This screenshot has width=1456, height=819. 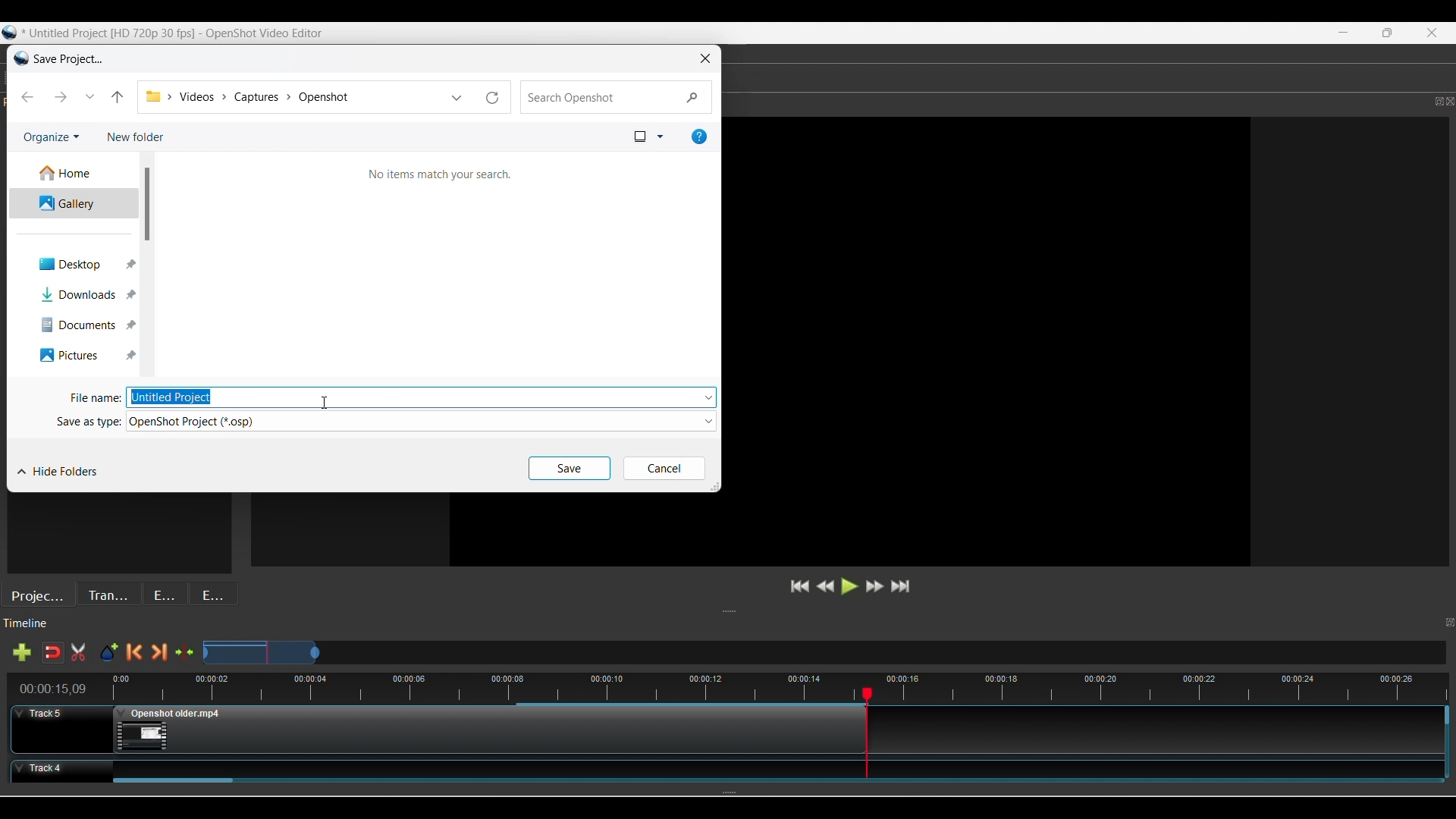 What do you see at coordinates (492, 731) in the screenshot?
I see `Clip at Track Panel` at bounding box center [492, 731].